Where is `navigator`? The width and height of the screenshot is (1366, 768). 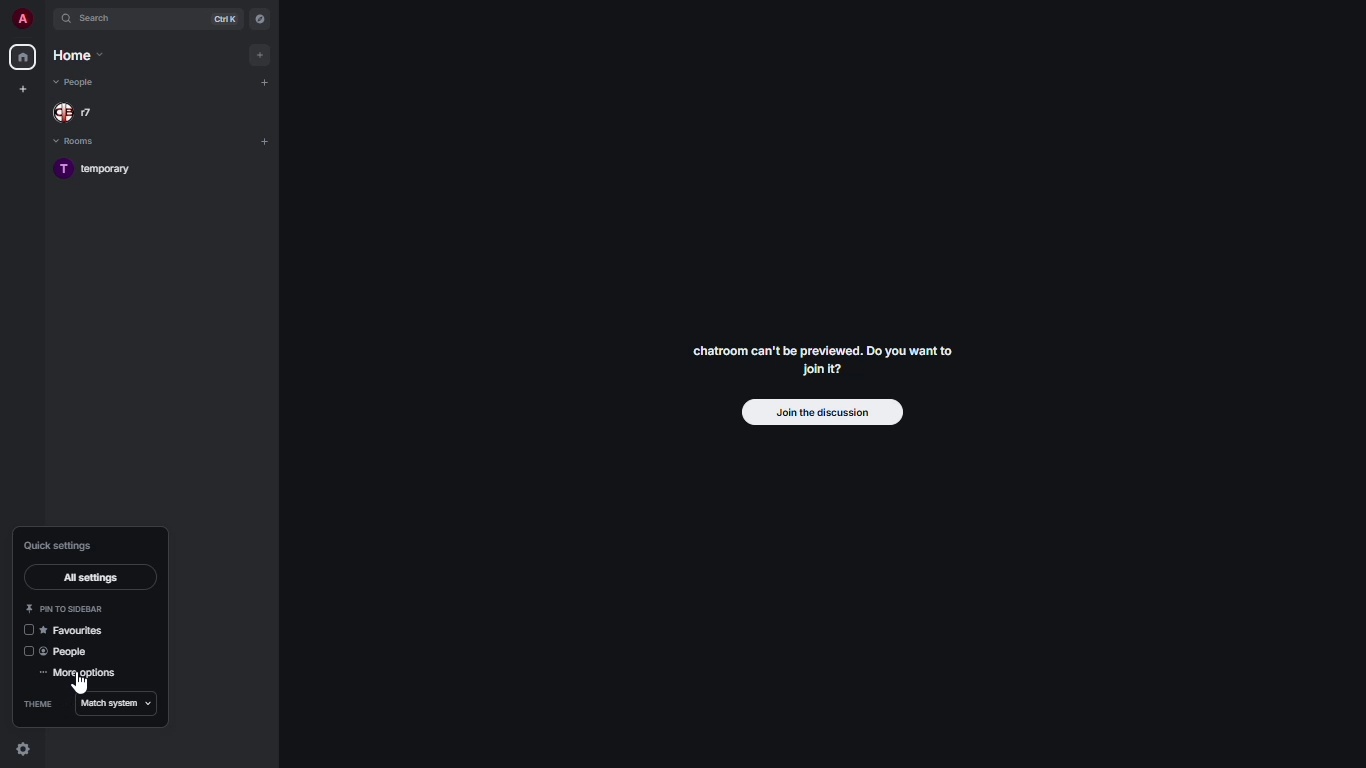
navigator is located at coordinates (260, 19).